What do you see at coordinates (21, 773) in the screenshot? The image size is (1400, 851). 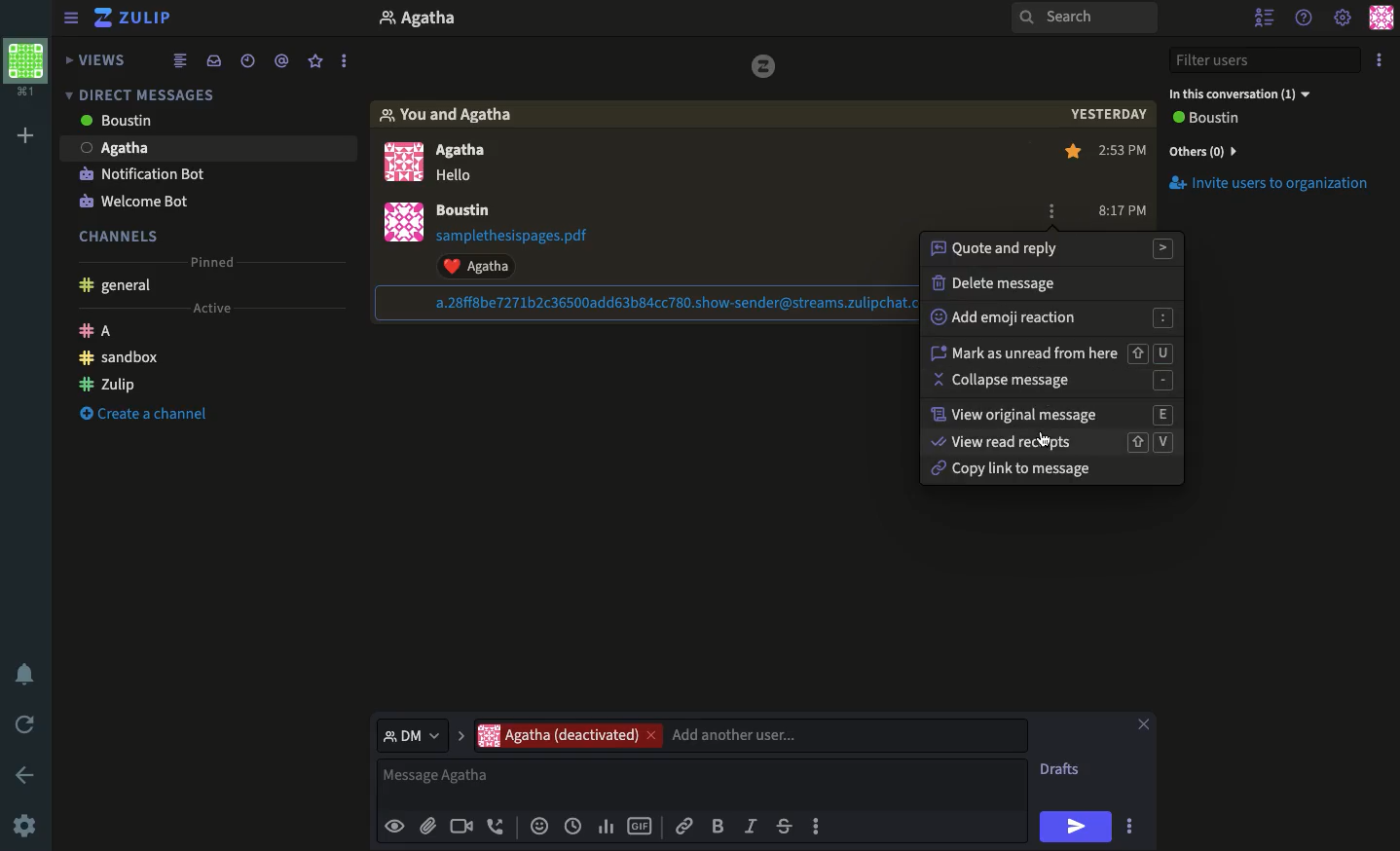 I see `Back` at bounding box center [21, 773].